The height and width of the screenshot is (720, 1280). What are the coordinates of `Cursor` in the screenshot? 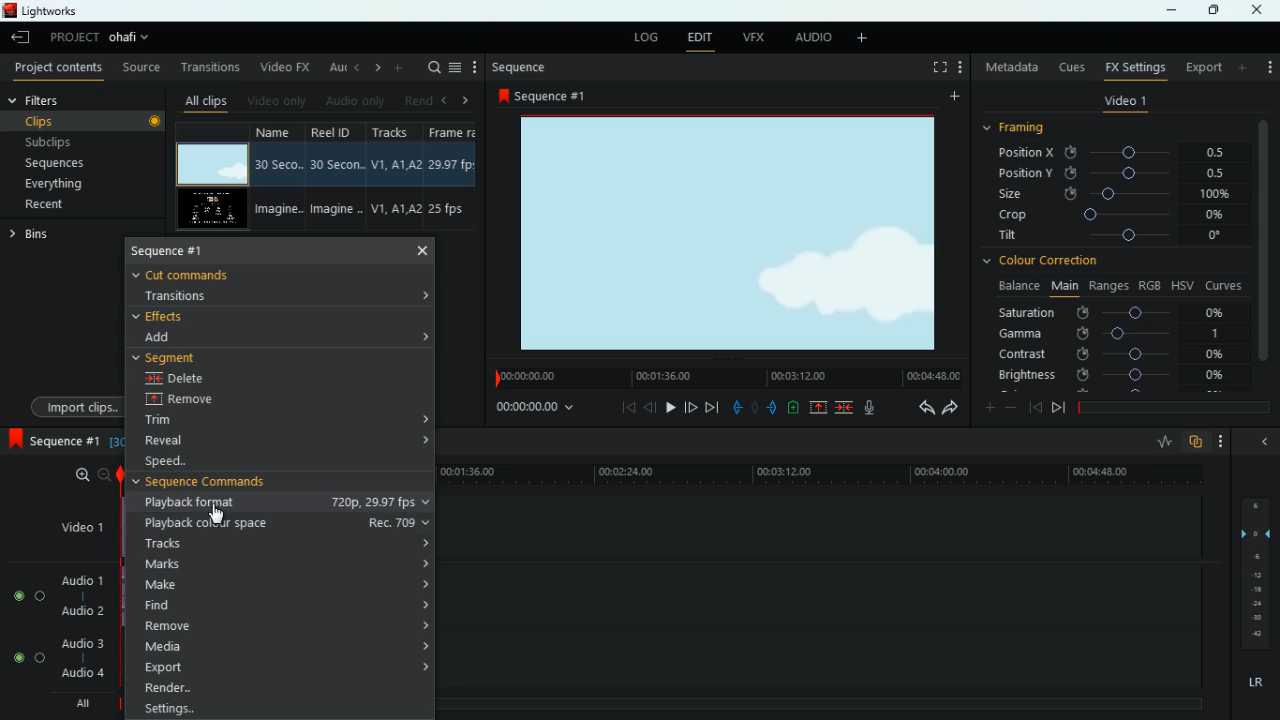 It's located at (216, 514).